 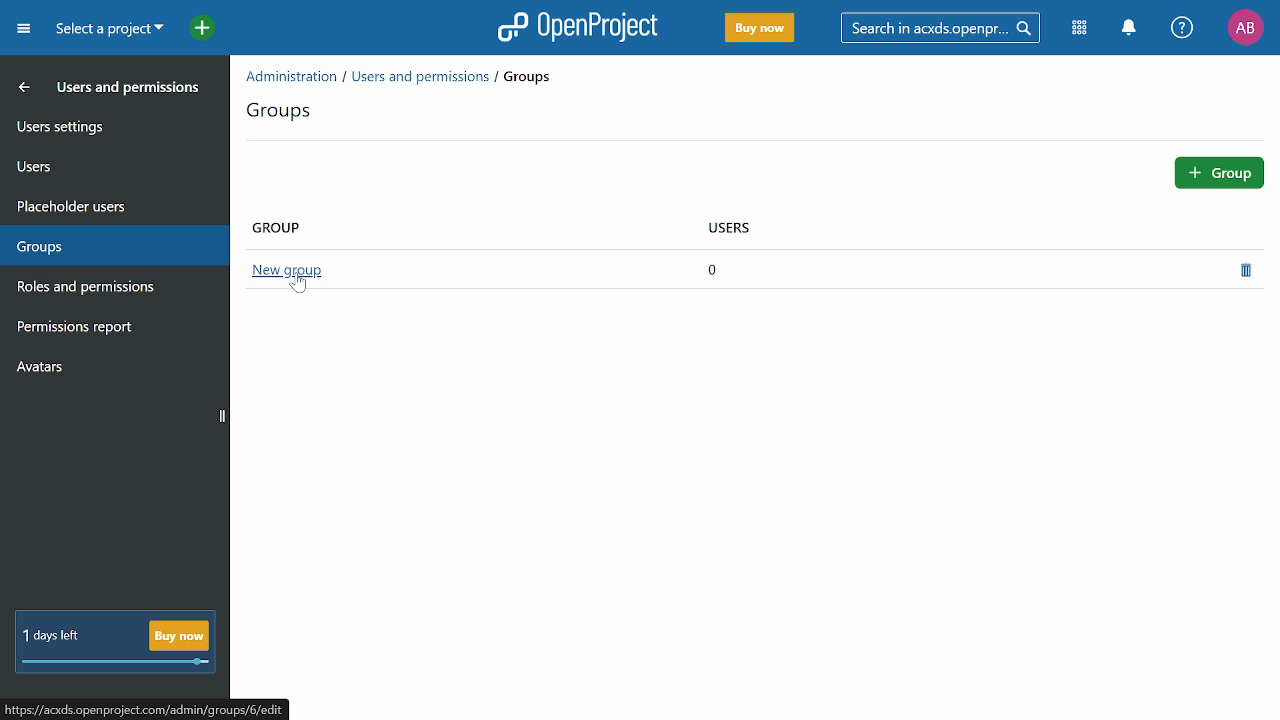 What do you see at coordinates (111, 371) in the screenshot?
I see `Avatars` at bounding box center [111, 371].